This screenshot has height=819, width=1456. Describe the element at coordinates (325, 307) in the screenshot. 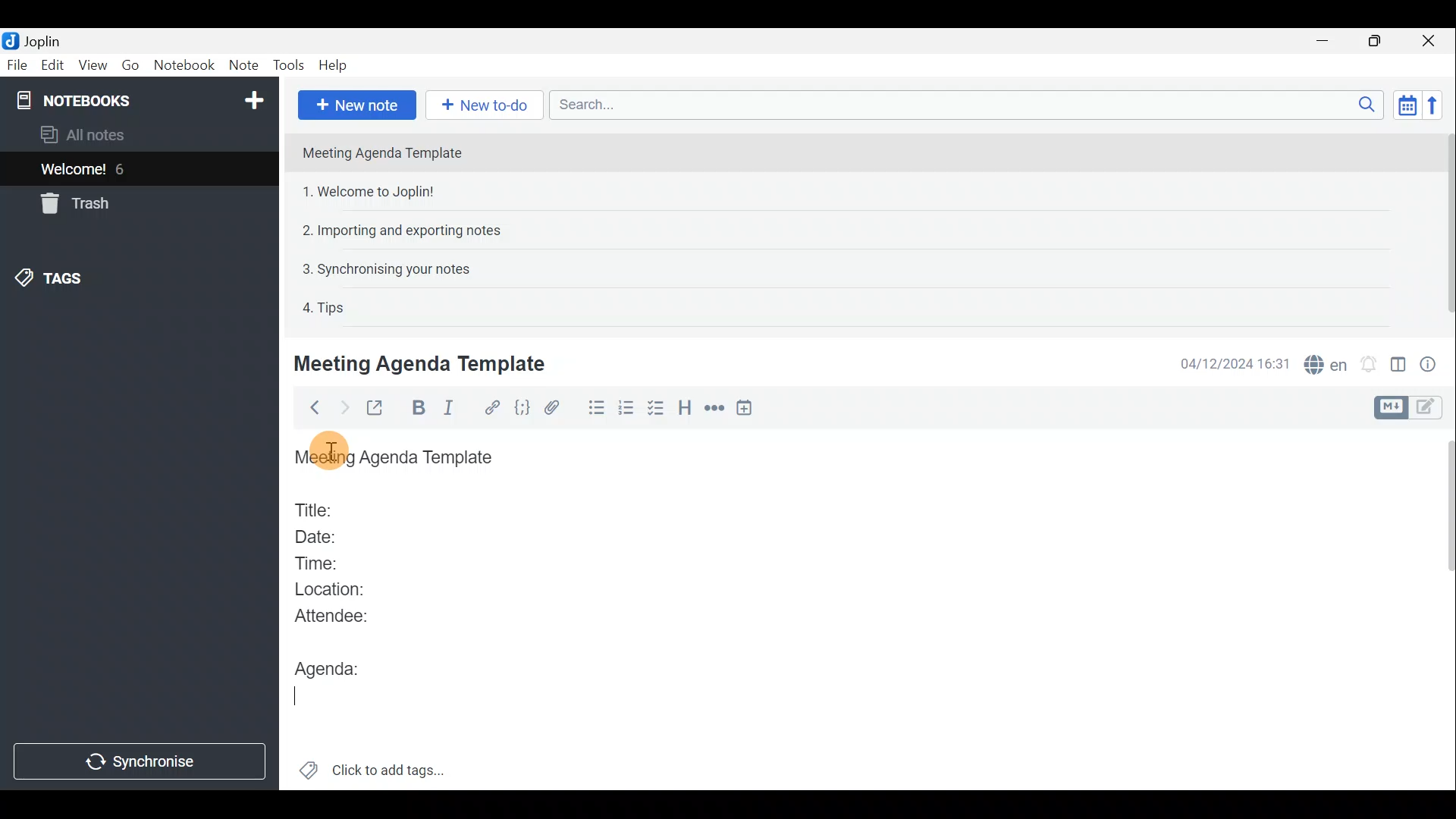

I see `4. Tips` at that location.